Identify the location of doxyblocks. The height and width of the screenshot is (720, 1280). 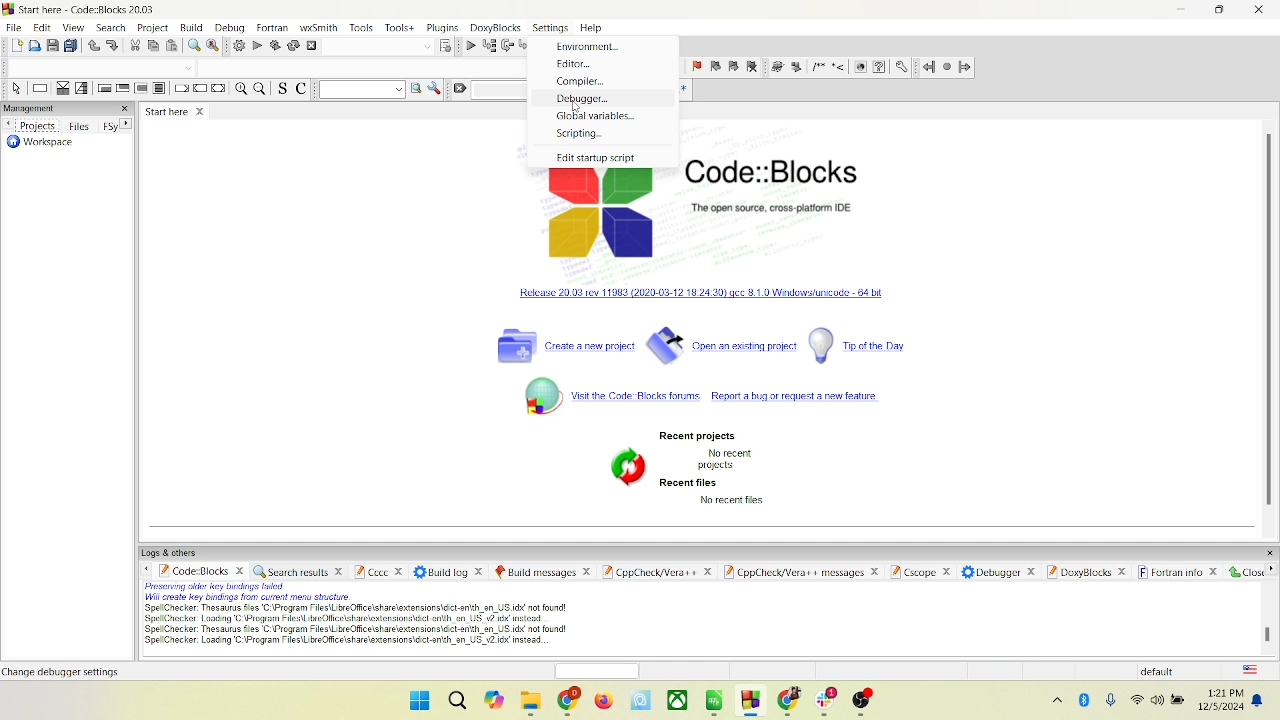
(1089, 572).